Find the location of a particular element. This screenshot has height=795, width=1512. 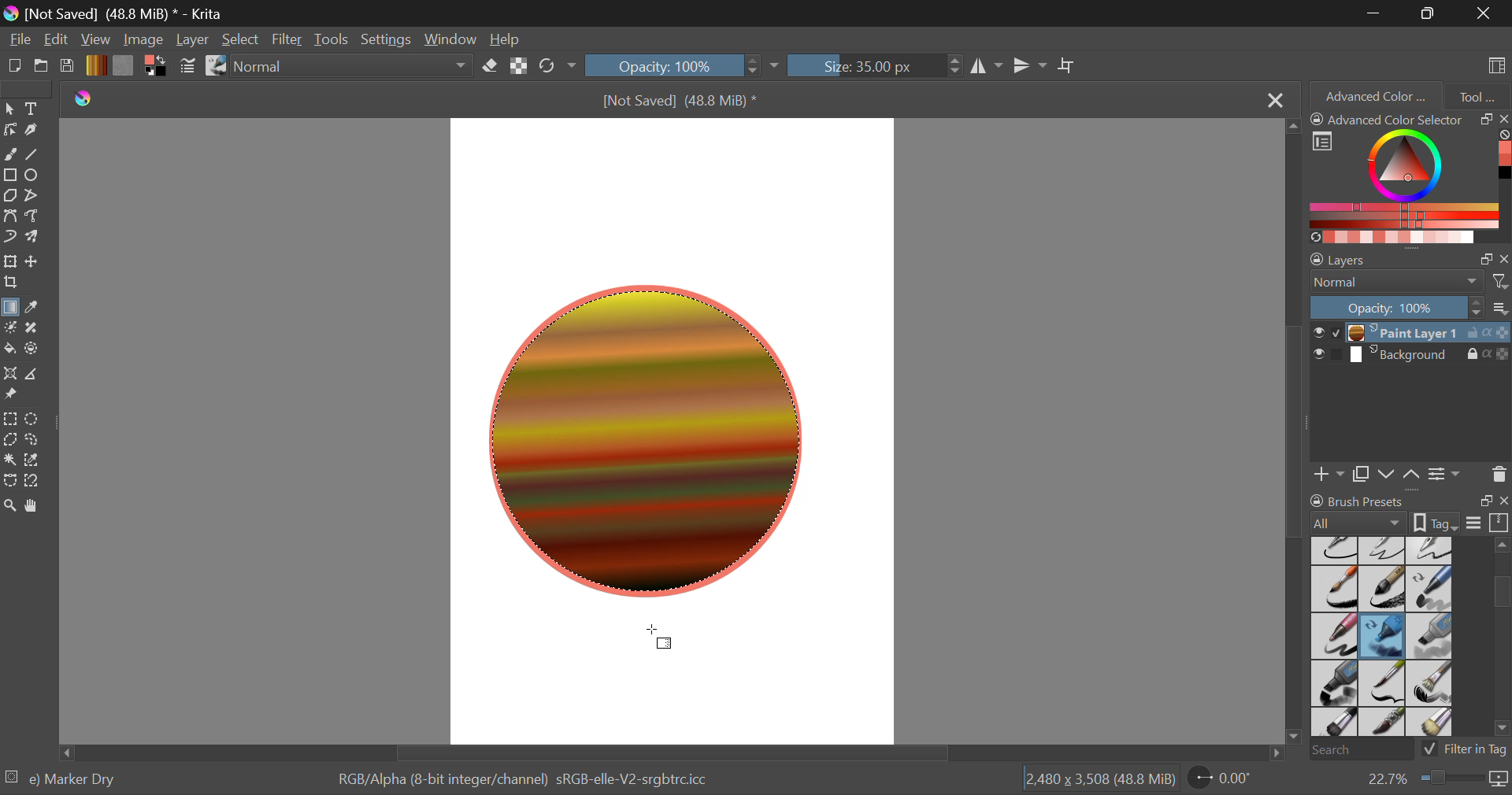

[Not Saved] (48.8 MiB) * - Krita is located at coordinates (128, 14).